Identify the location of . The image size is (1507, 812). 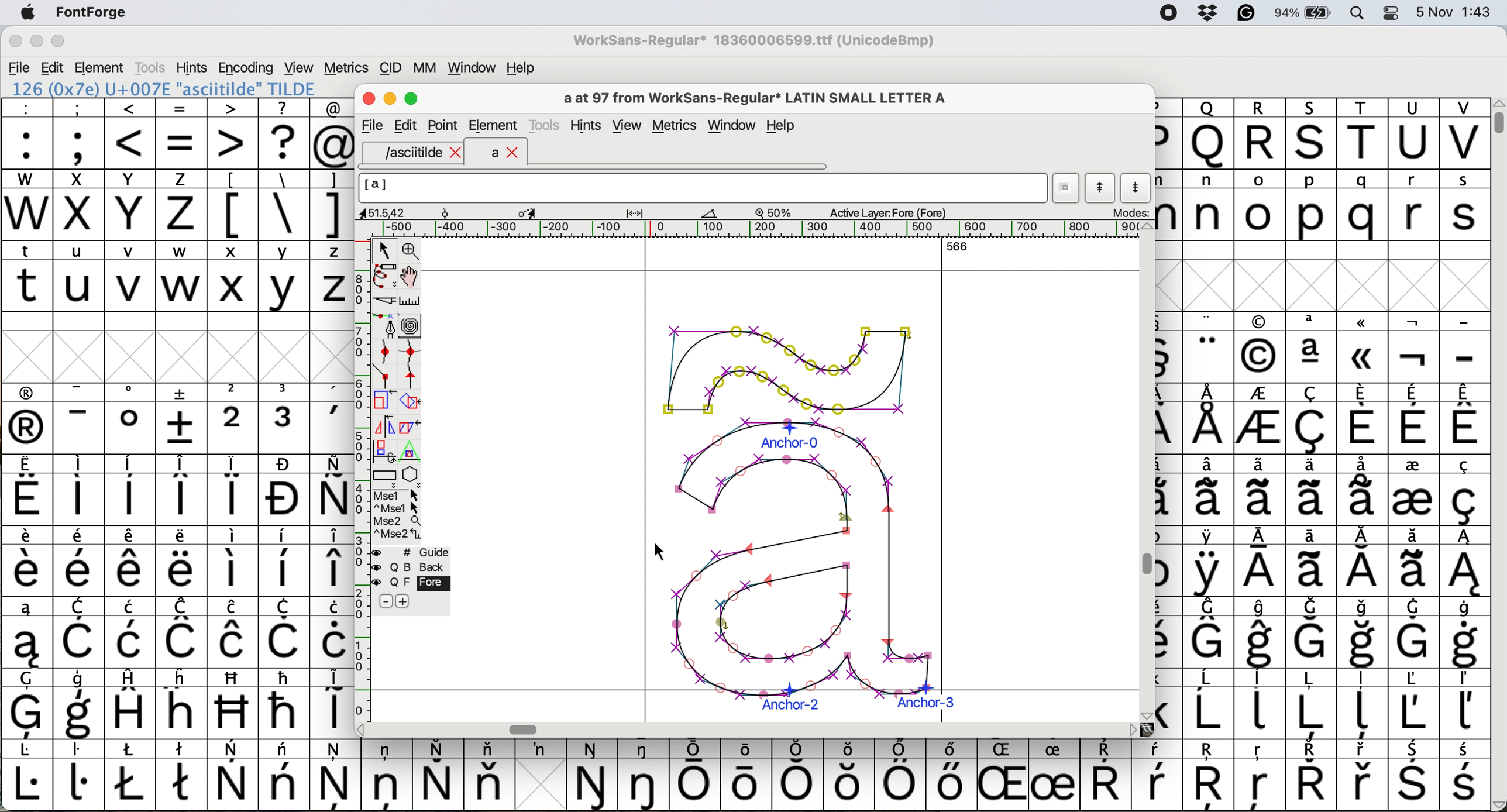
(1364, 347).